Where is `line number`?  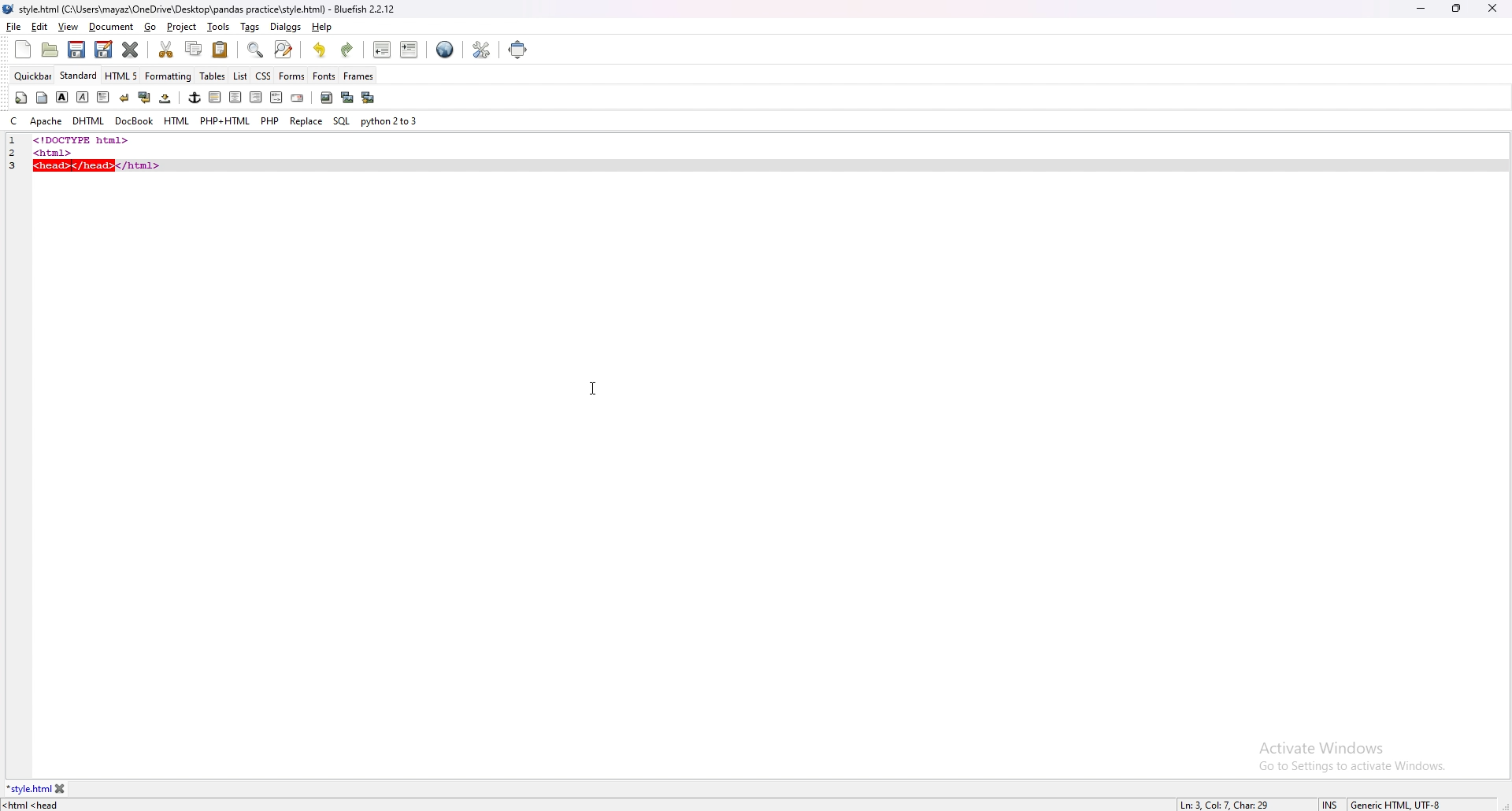
line number is located at coordinates (13, 141).